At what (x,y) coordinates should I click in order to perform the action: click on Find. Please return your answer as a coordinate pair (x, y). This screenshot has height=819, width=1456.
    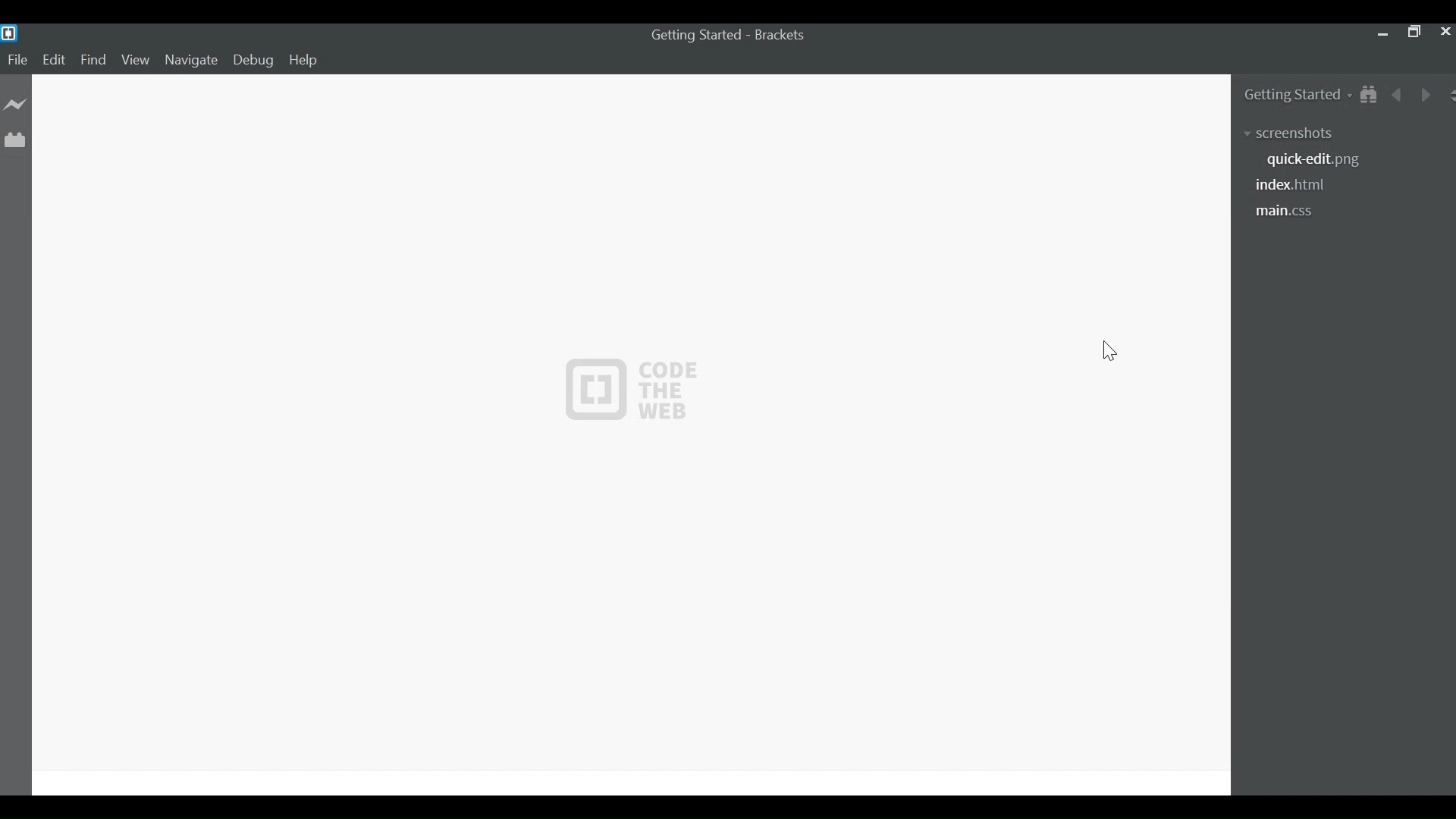
    Looking at the image, I should click on (93, 61).